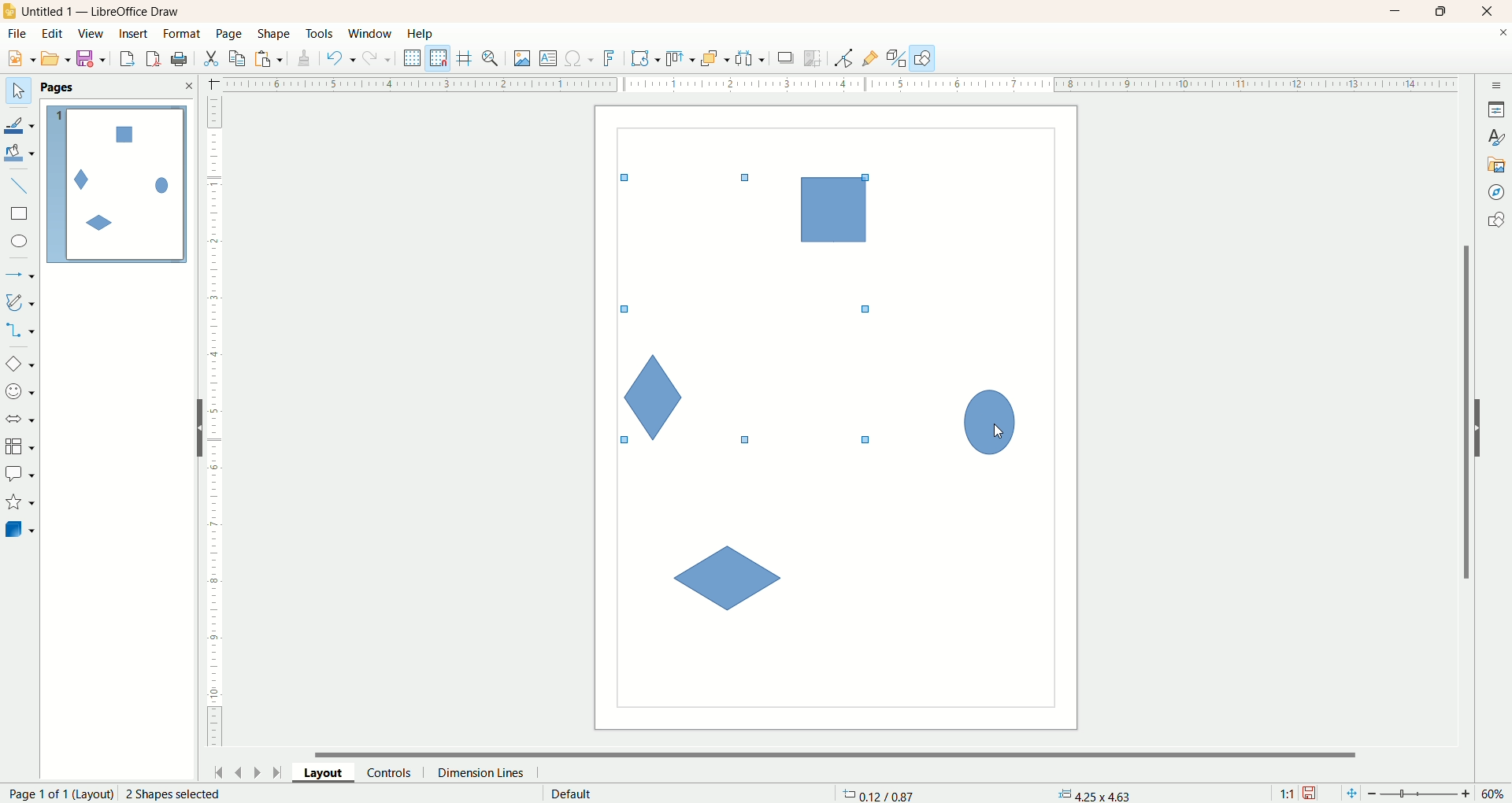 This screenshot has height=803, width=1512. What do you see at coordinates (380, 57) in the screenshot?
I see `redo` at bounding box center [380, 57].